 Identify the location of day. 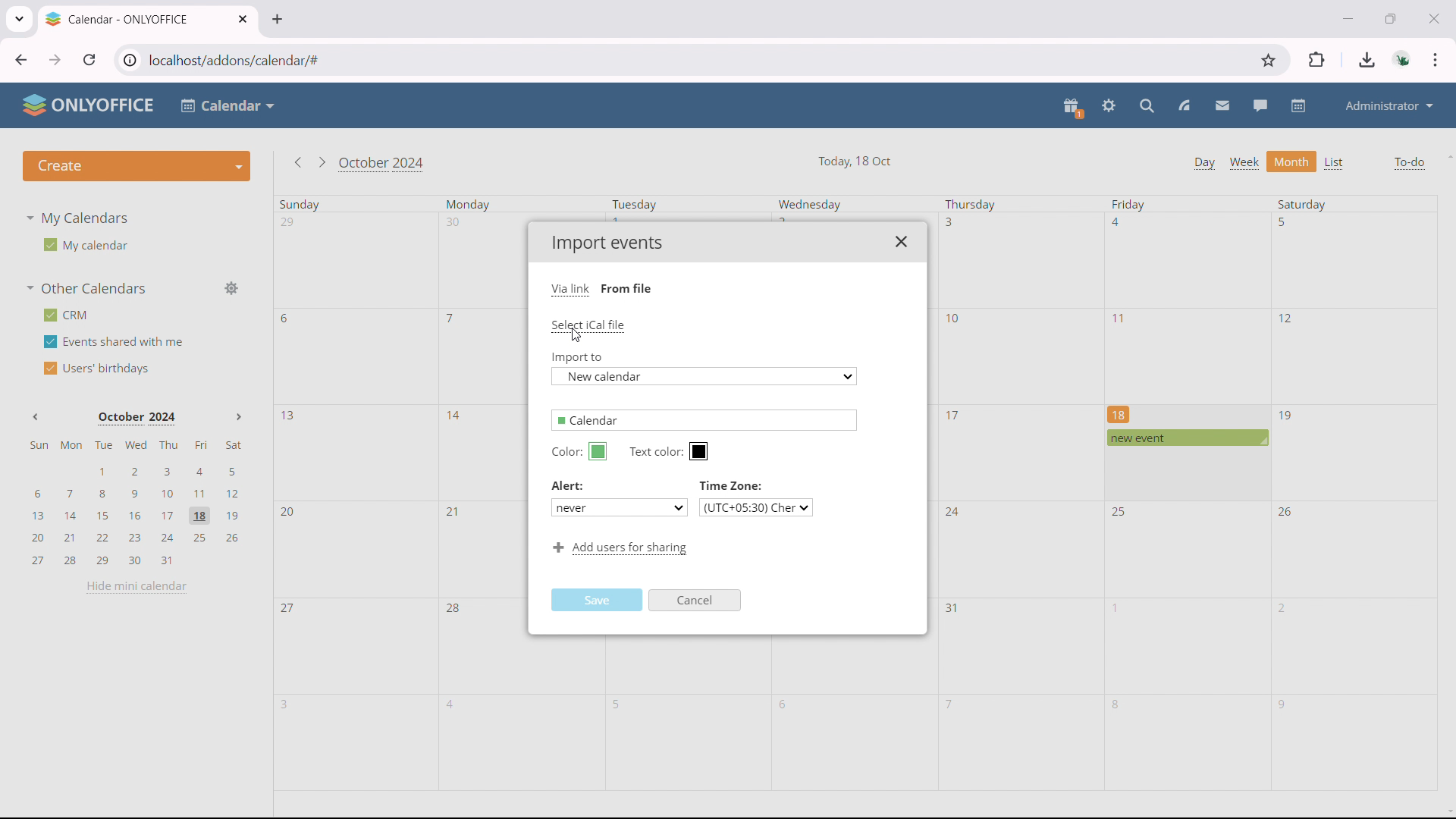
(1204, 163).